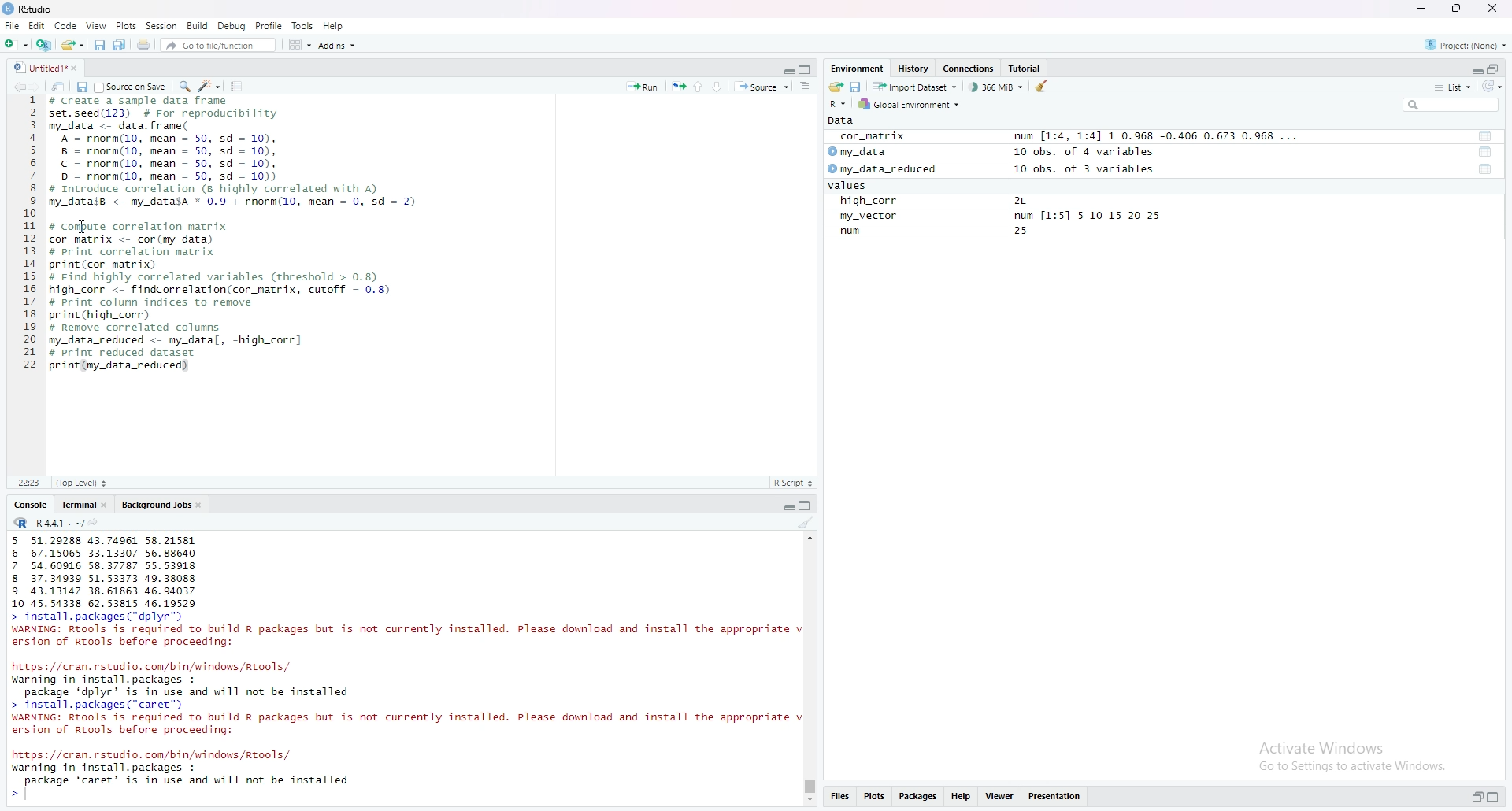  What do you see at coordinates (1488, 169) in the screenshot?
I see `tool` at bounding box center [1488, 169].